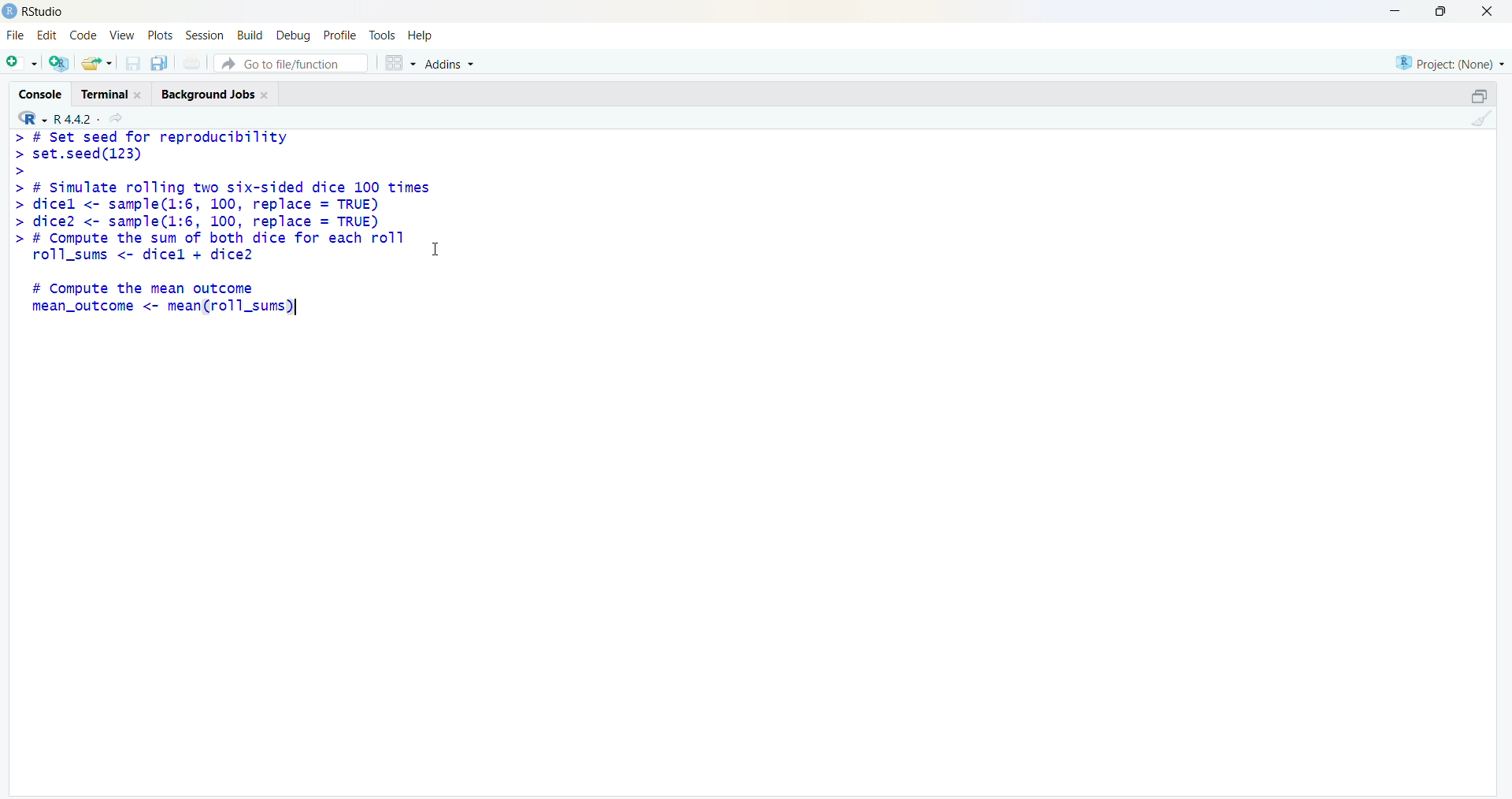 The image size is (1512, 799). What do you see at coordinates (435, 250) in the screenshot?
I see `cursor` at bounding box center [435, 250].